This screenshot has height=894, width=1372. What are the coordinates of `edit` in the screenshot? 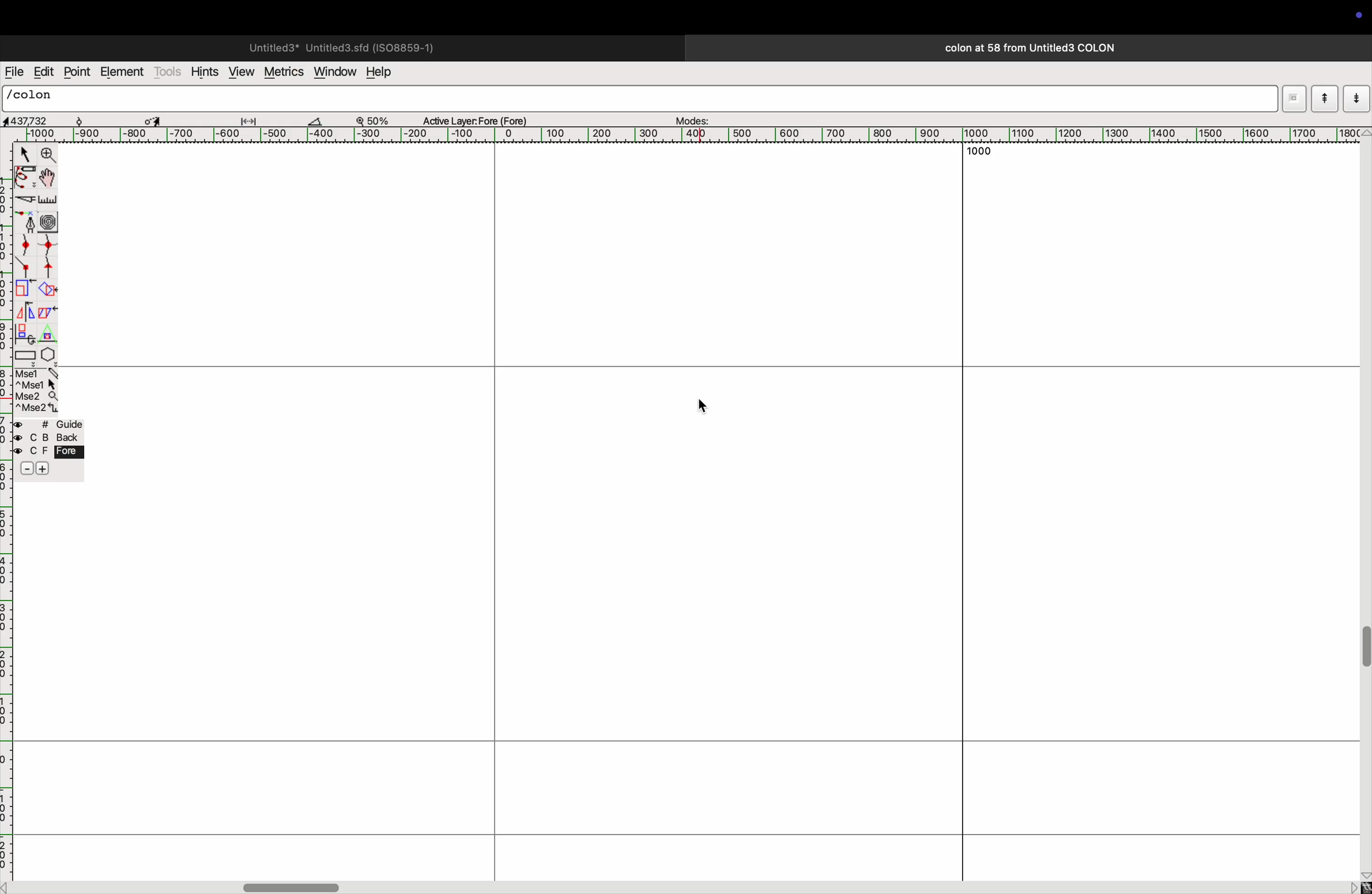 It's located at (43, 72).